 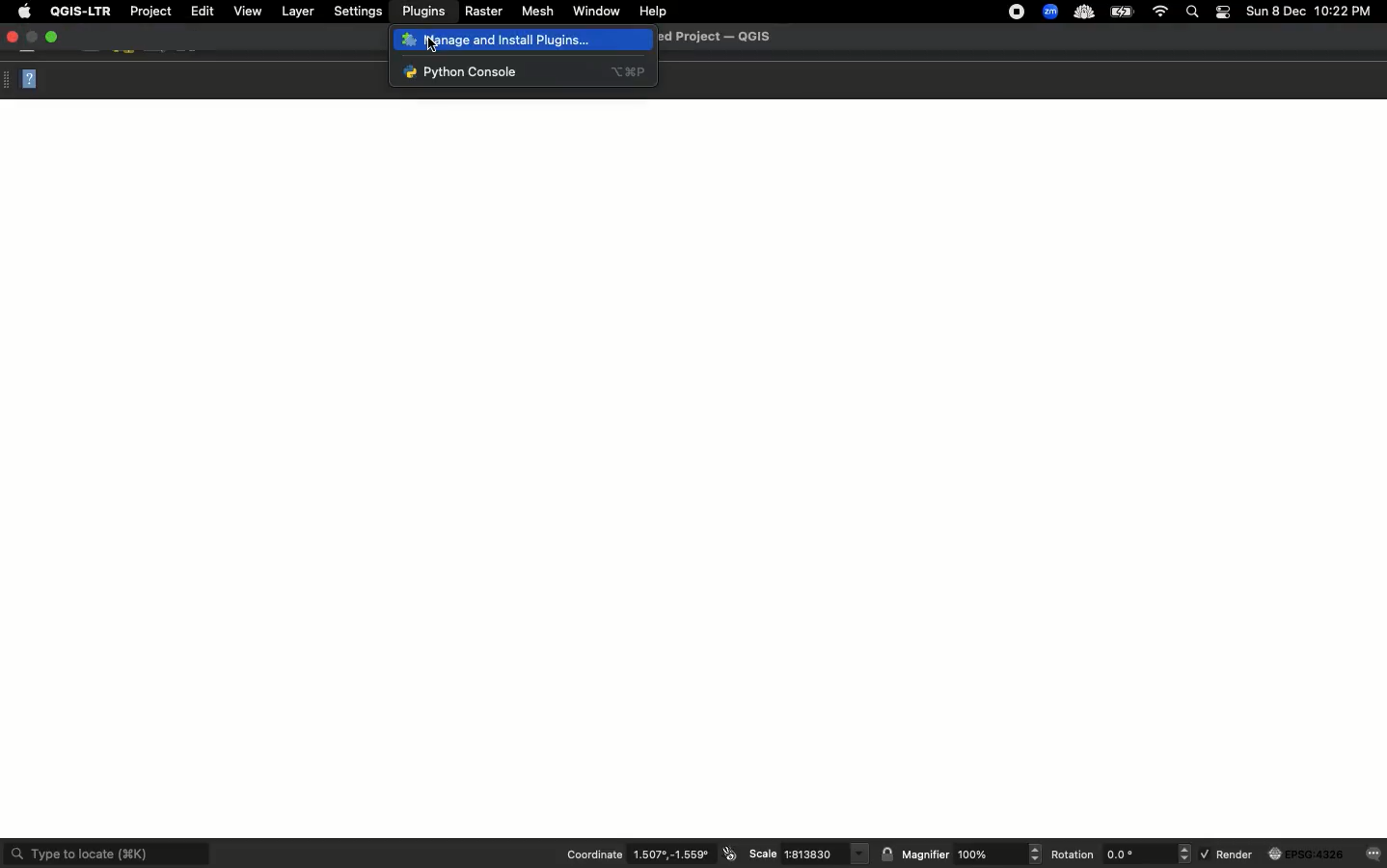 I want to click on Untitled, so click(x=716, y=35).